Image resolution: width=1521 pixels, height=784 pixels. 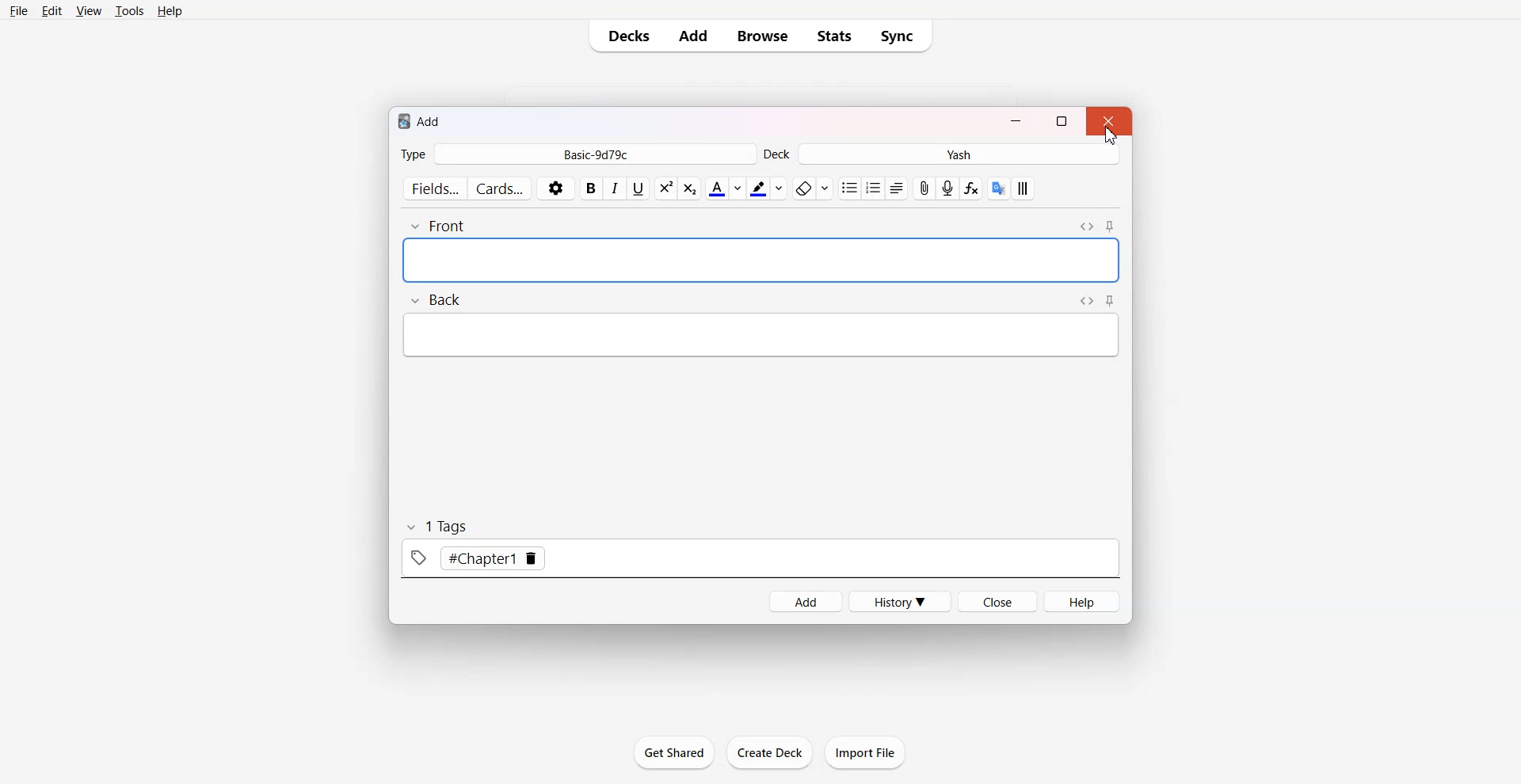 What do you see at coordinates (577, 154) in the screenshot?
I see `Type Basic-9d79c` at bounding box center [577, 154].